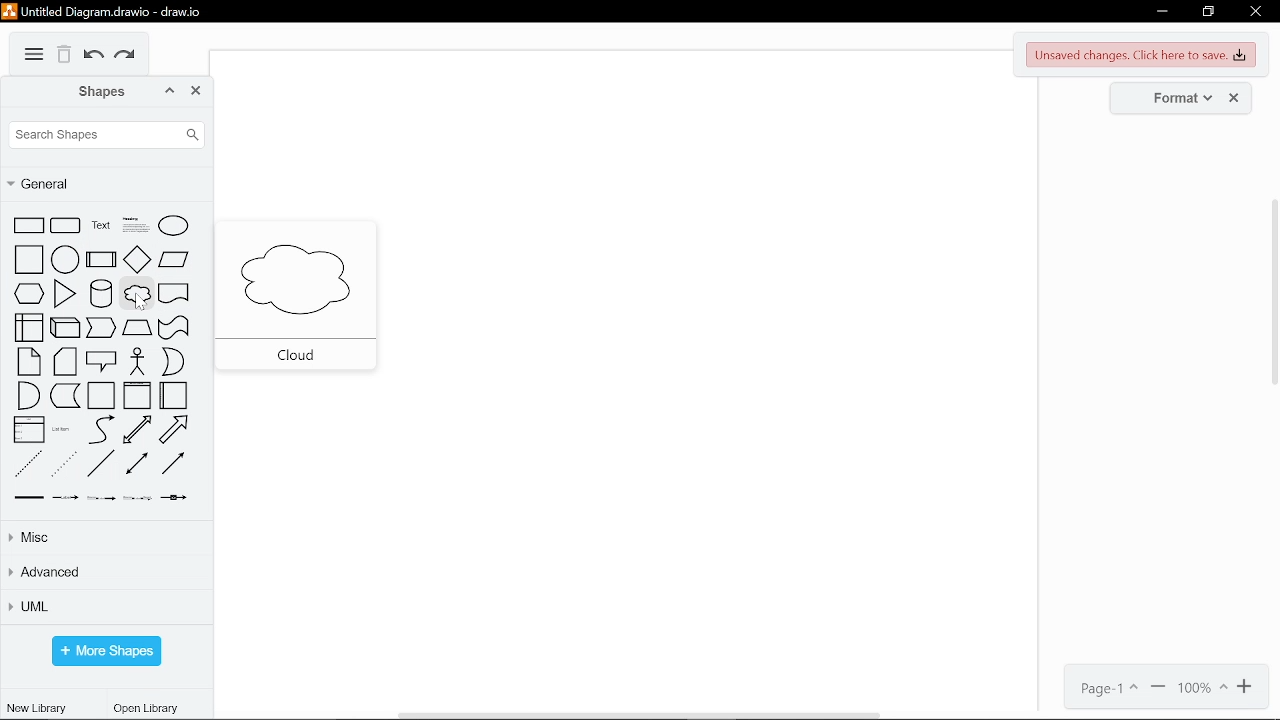 This screenshot has width=1280, height=720. What do you see at coordinates (138, 261) in the screenshot?
I see `diamond` at bounding box center [138, 261].